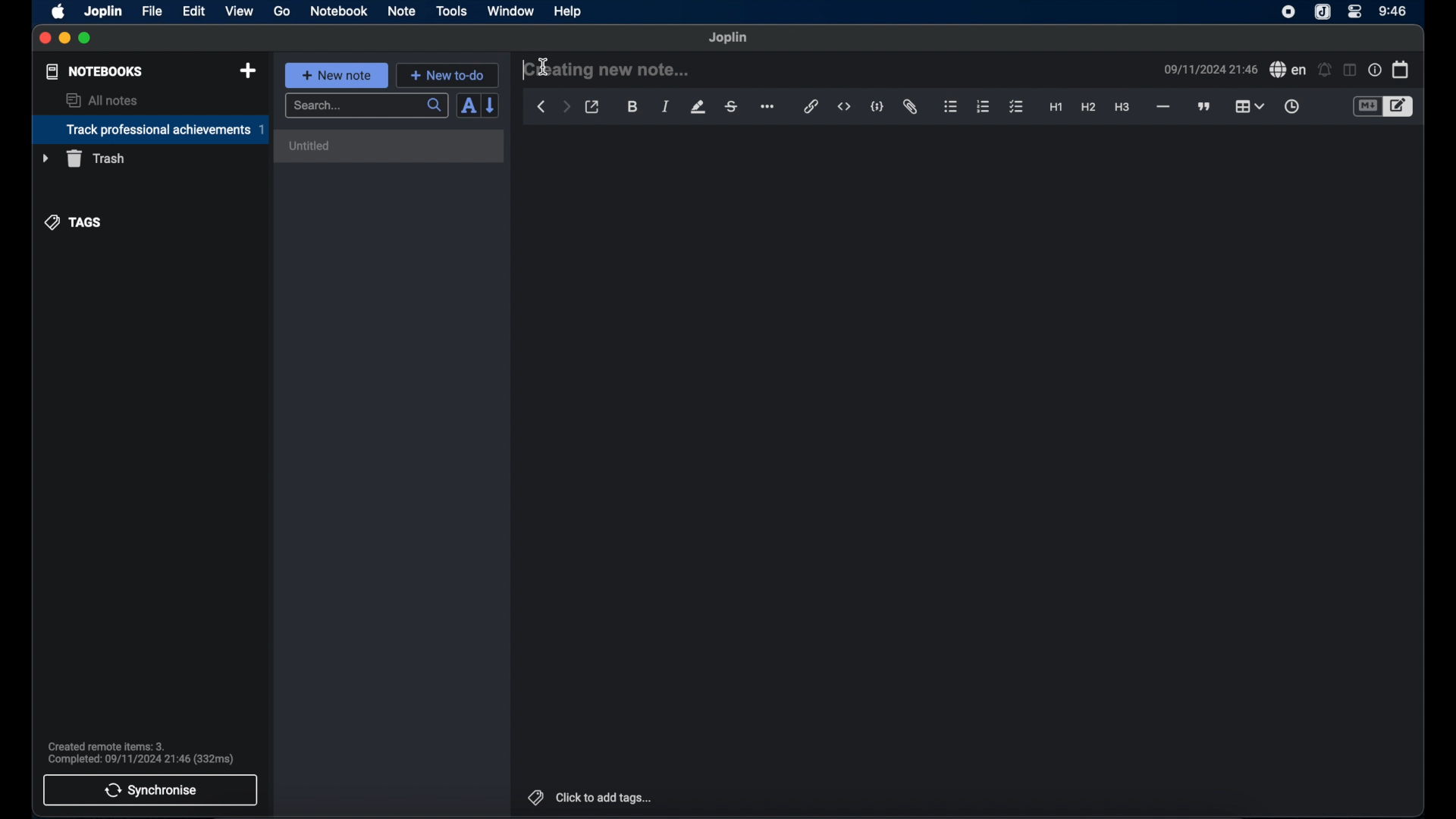 The height and width of the screenshot is (819, 1456). I want to click on numbered list, so click(984, 106).